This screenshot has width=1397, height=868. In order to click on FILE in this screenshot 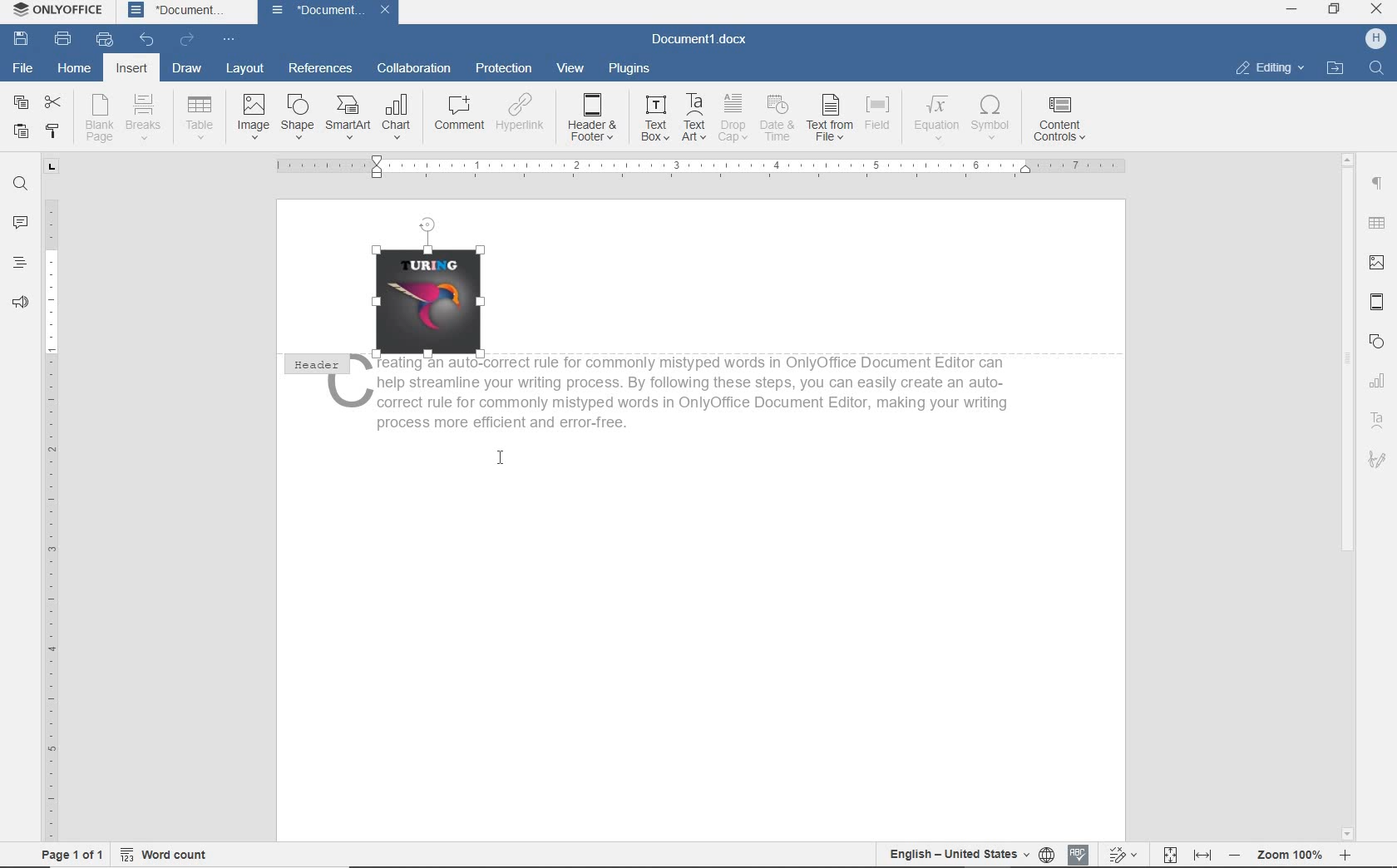, I will do `click(21, 67)`.